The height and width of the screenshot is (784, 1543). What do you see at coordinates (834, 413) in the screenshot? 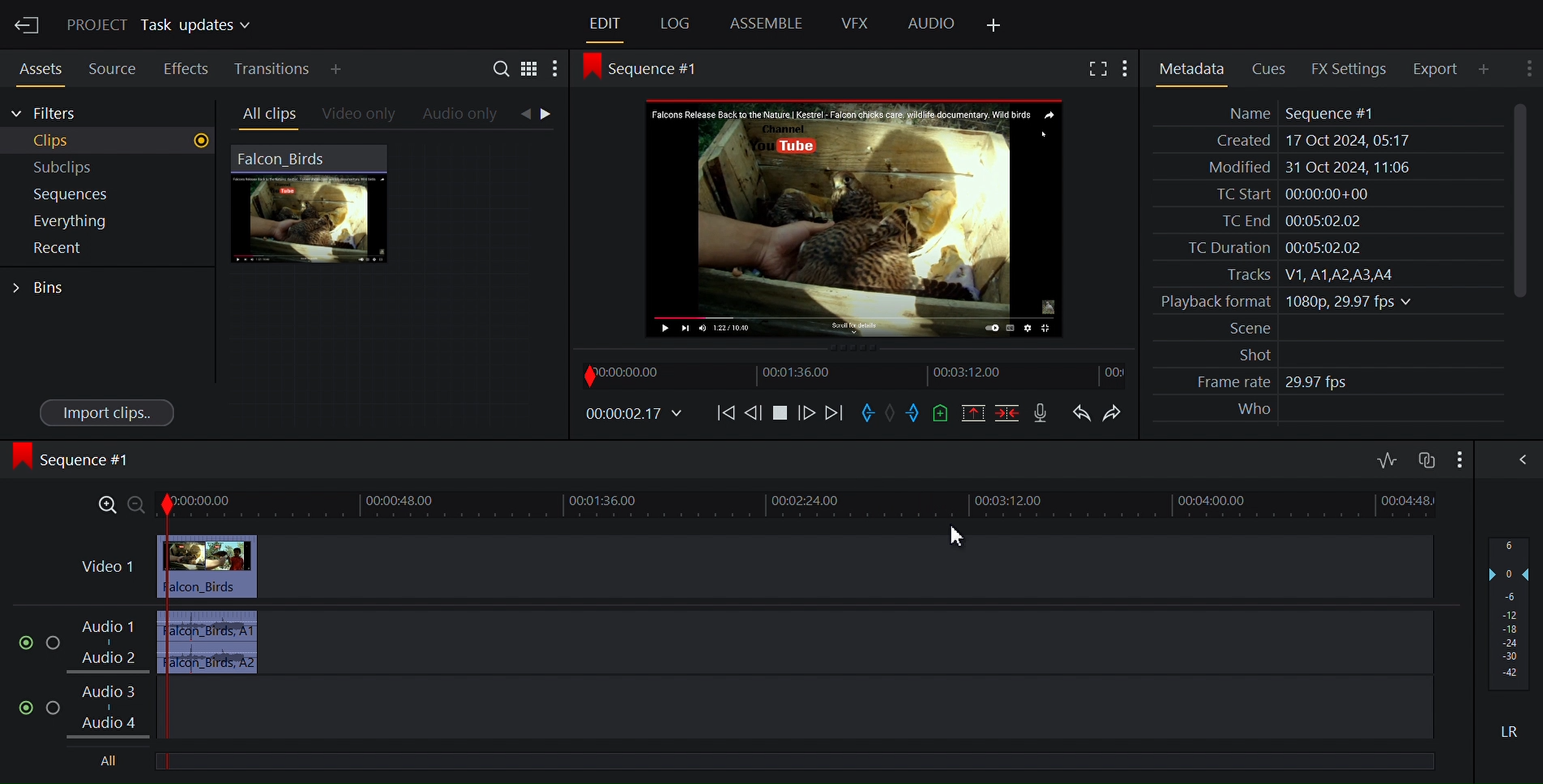
I see `Move Forward` at bounding box center [834, 413].